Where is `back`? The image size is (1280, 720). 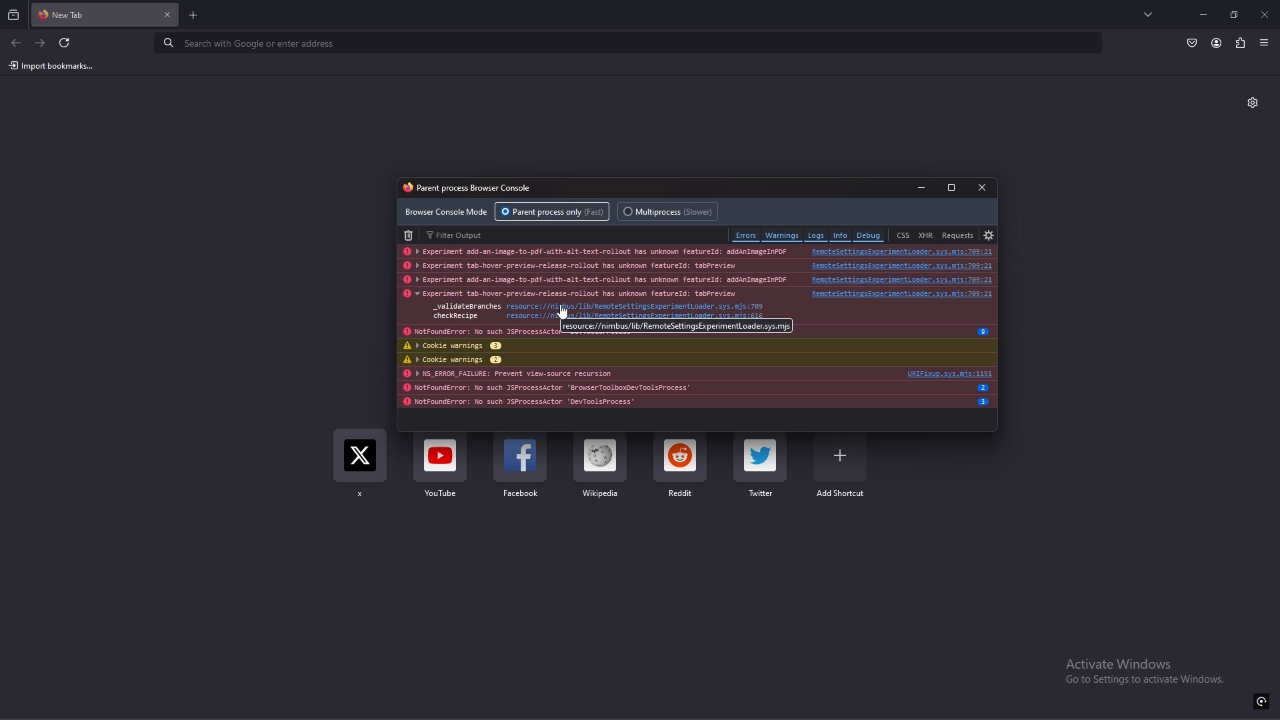 back is located at coordinates (17, 41).